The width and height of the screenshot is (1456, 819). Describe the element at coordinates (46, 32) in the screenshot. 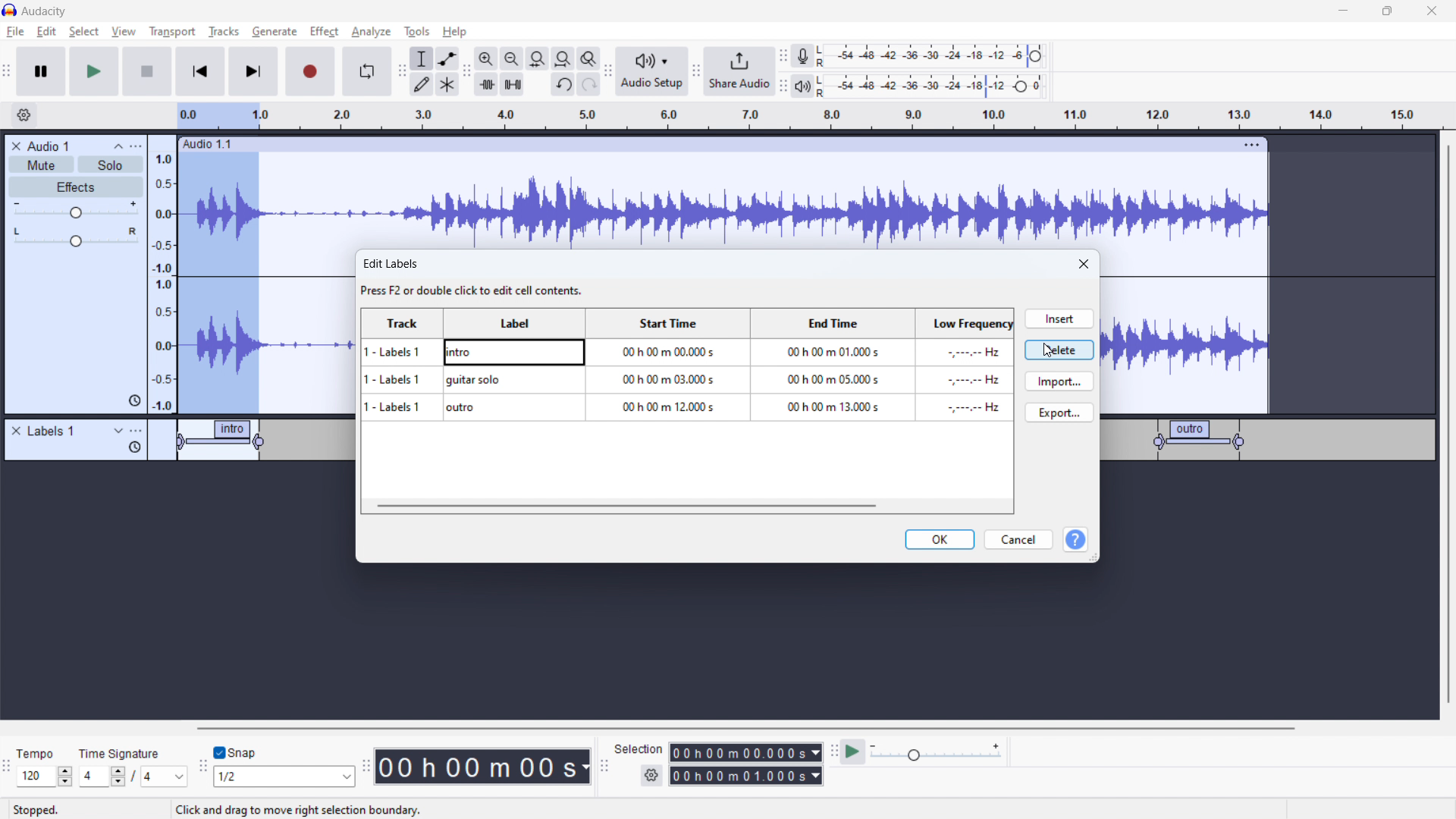

I see `edit` at that location.